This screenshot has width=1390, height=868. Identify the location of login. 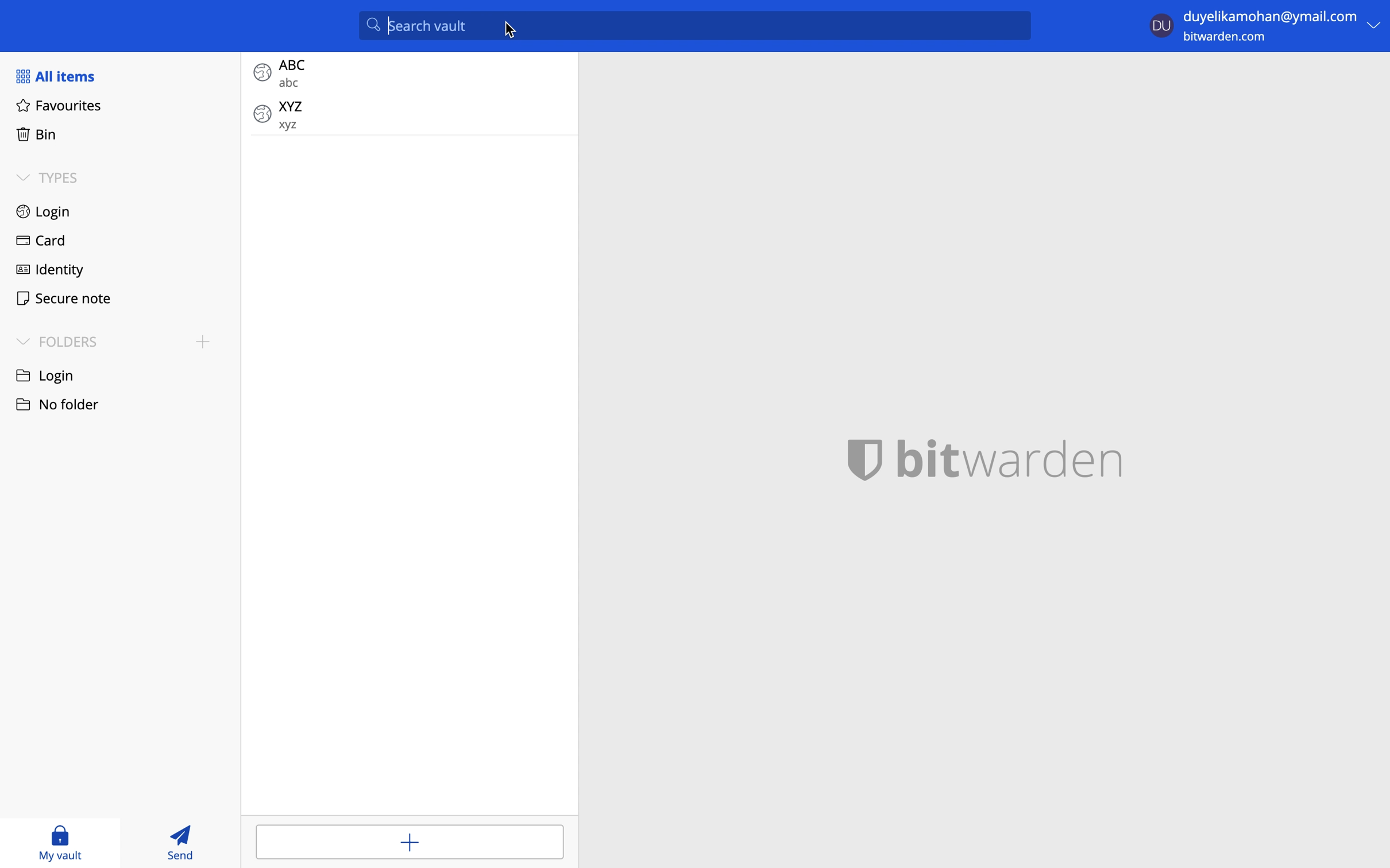
(45, 211).